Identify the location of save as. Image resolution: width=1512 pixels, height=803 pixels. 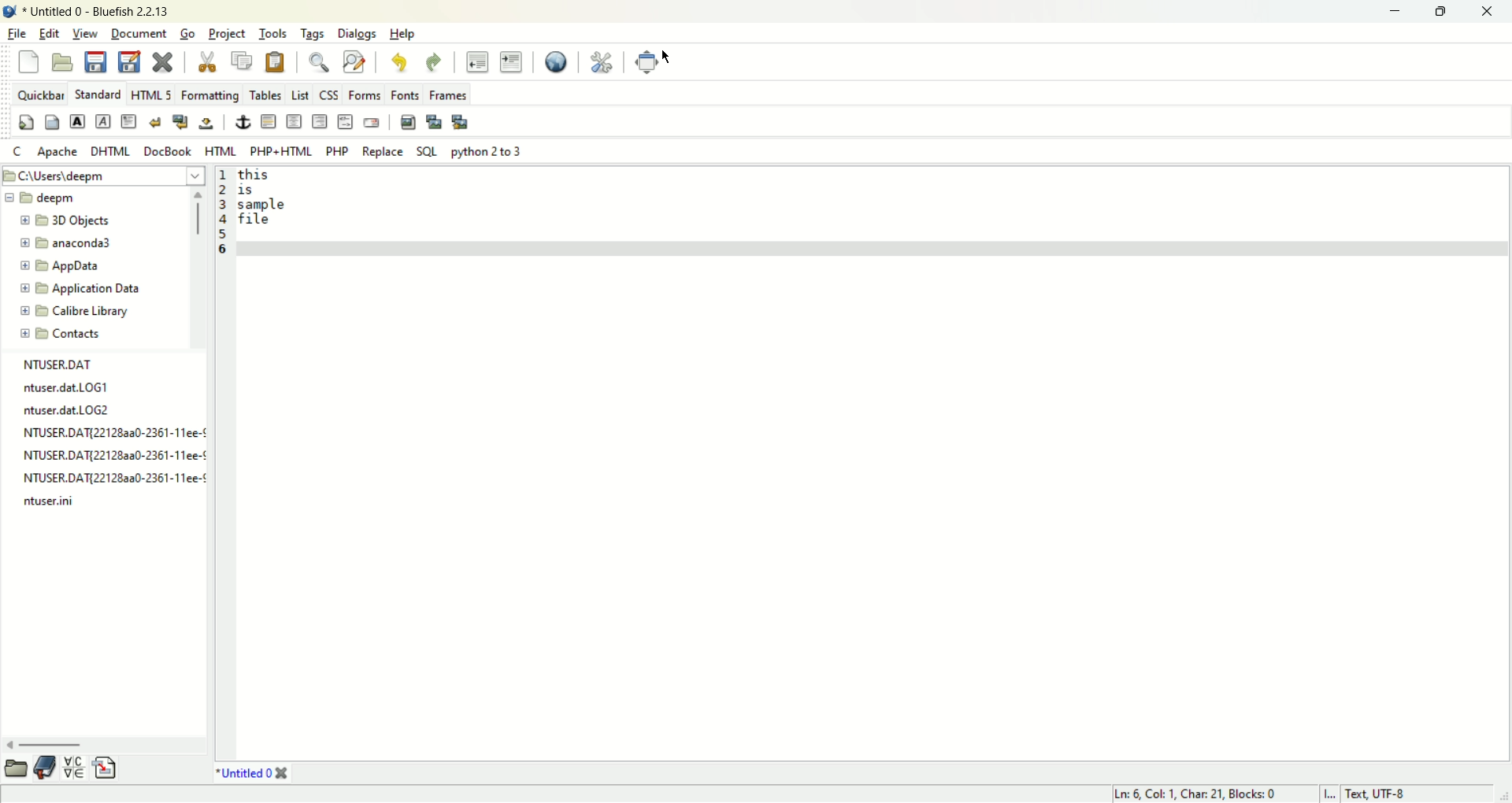
(132, 61).